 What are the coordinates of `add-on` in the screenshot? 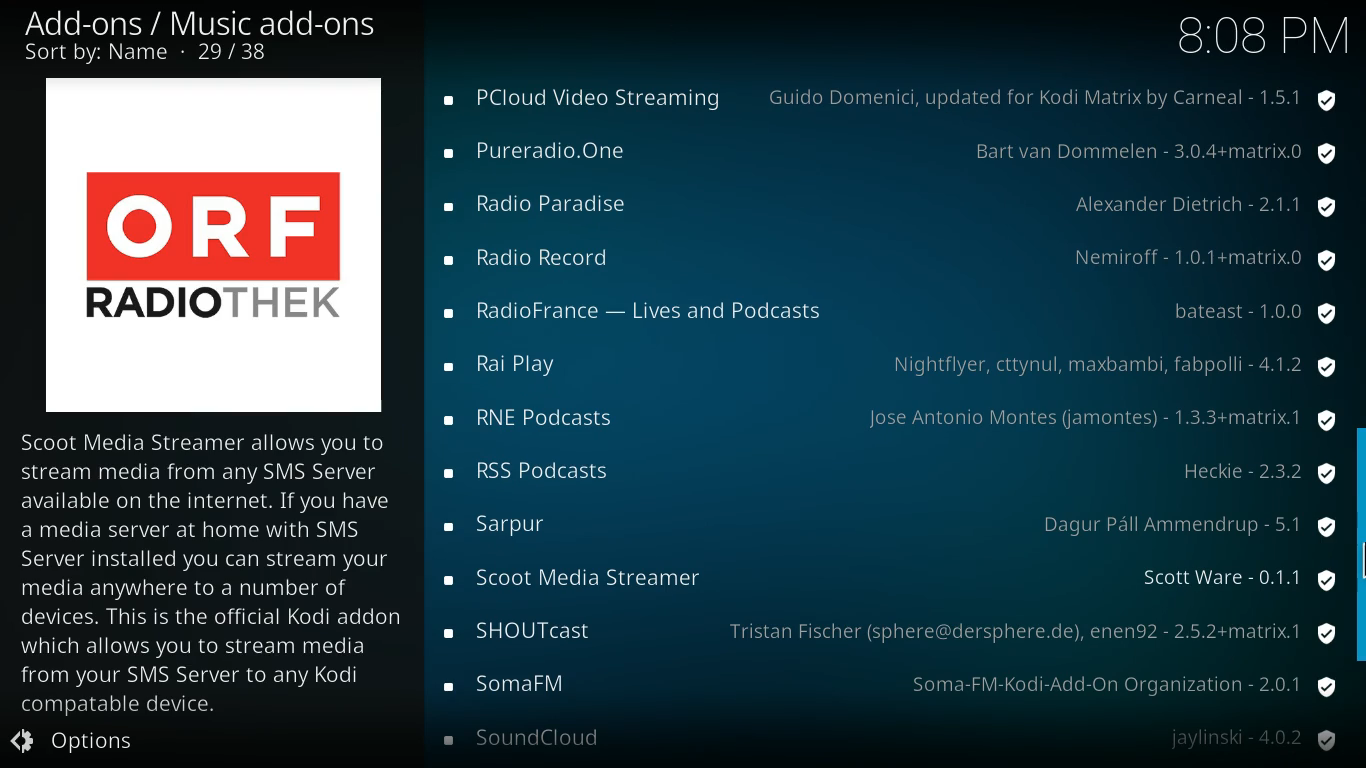 It's located at (549, 206).